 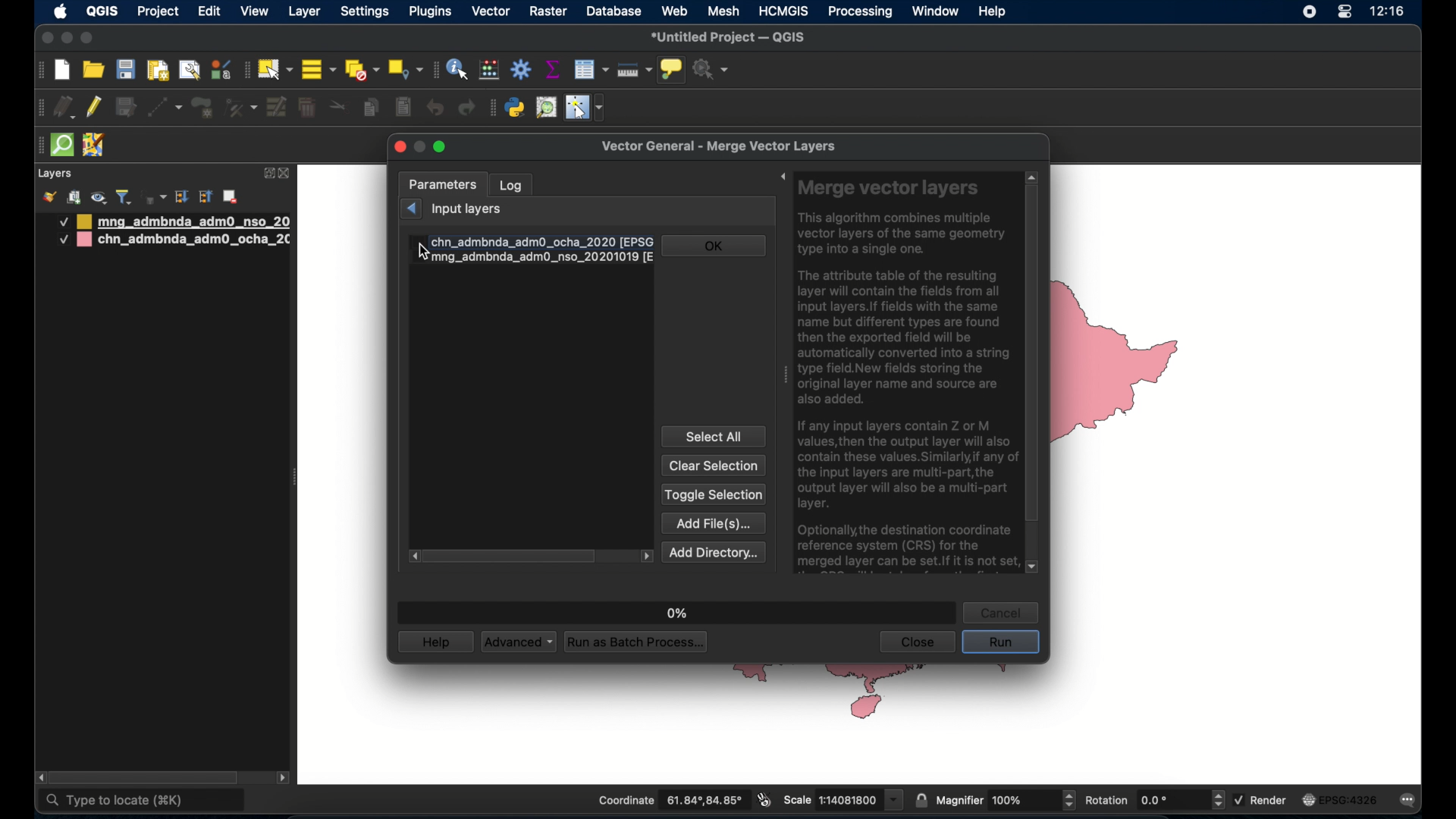 I want to click on scroll right, so click(x=411, y=557).